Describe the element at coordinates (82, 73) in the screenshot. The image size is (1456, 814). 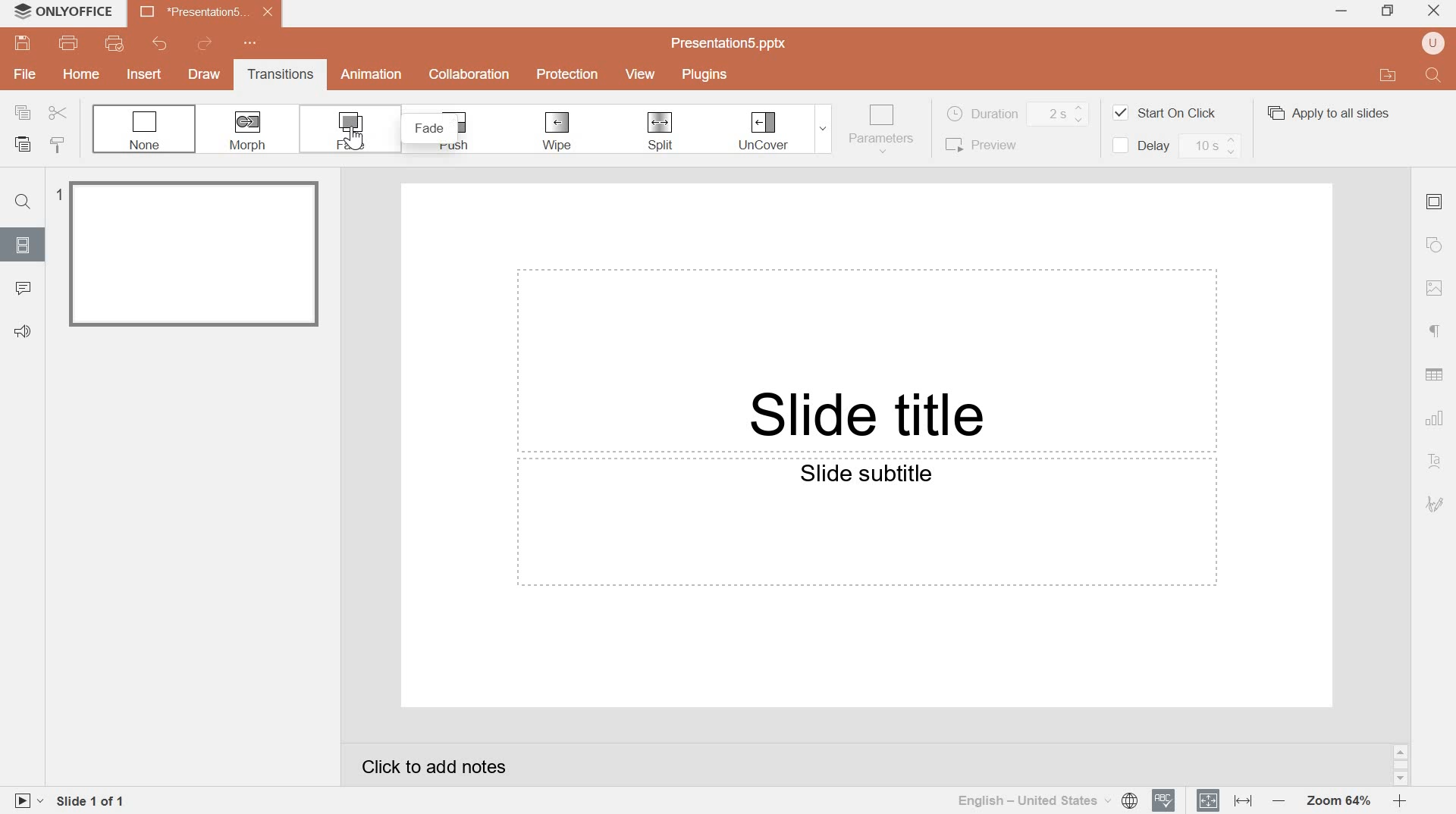
I see `Home` at that location.